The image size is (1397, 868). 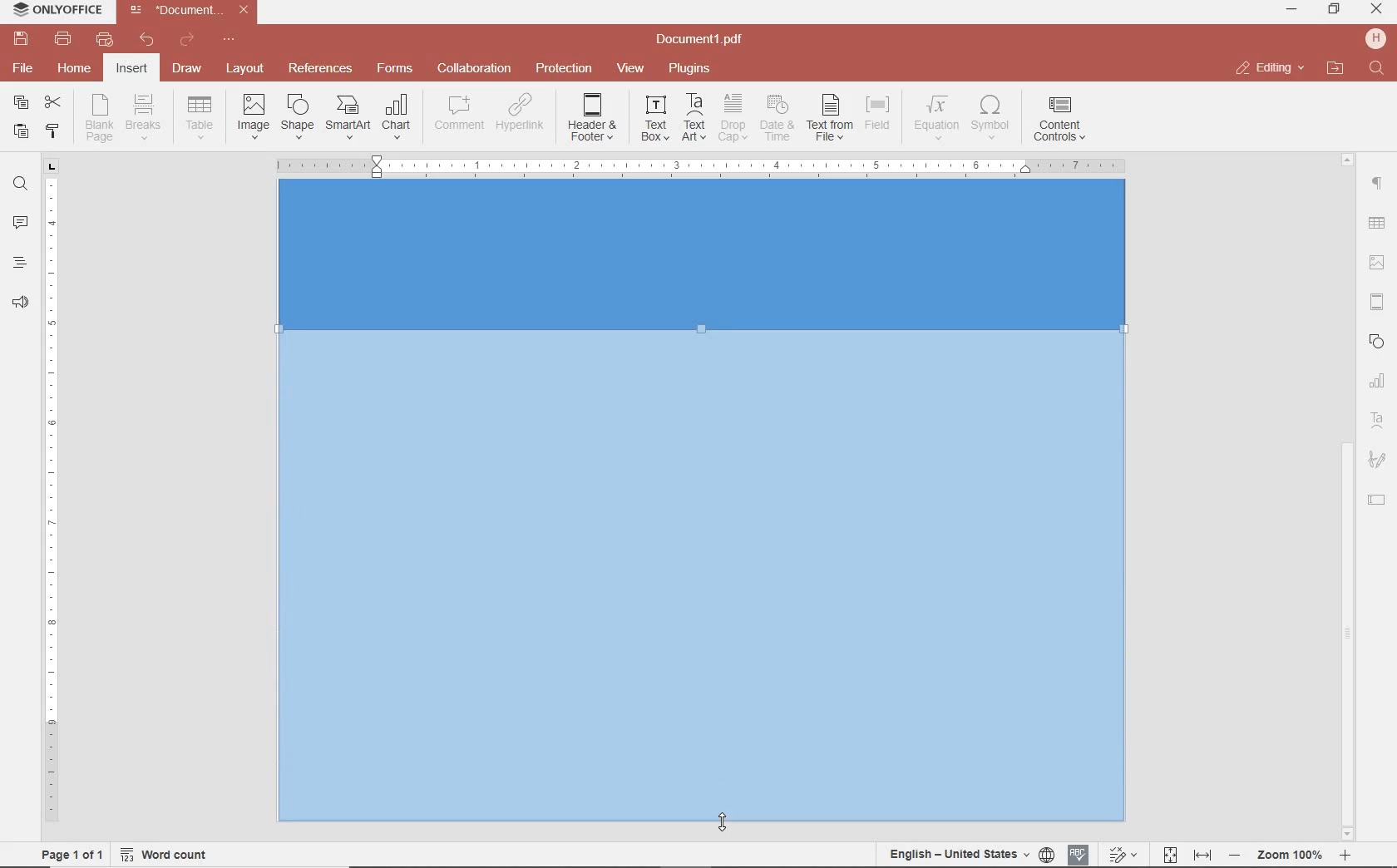 What do you see at coordinates (147, 40) in the screenshot?
I see `undo` at bounding box center [147, 40].